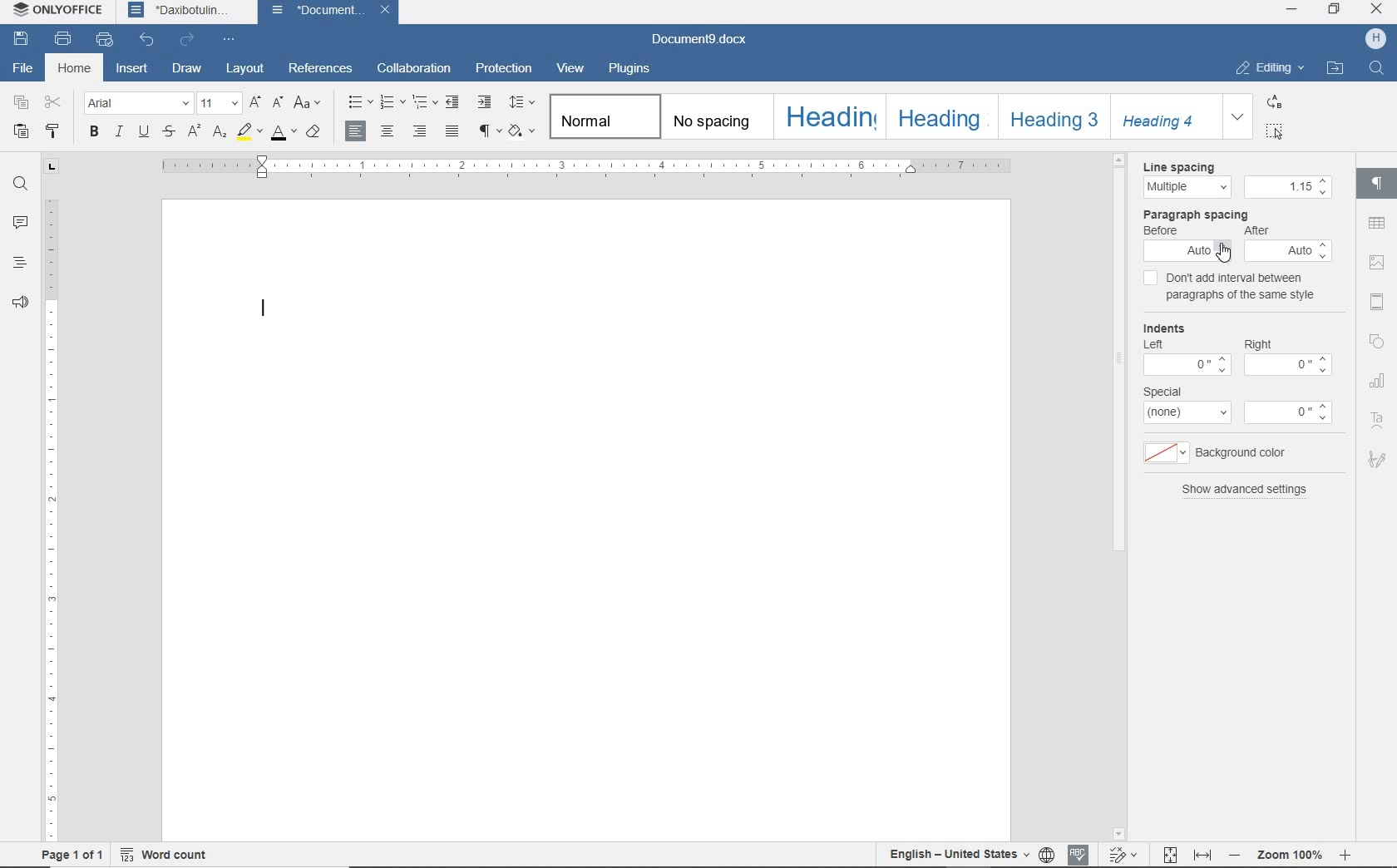  Describe the element at coordinates (1121, 496) in the screenshot. I see `scroll bar` at that location.